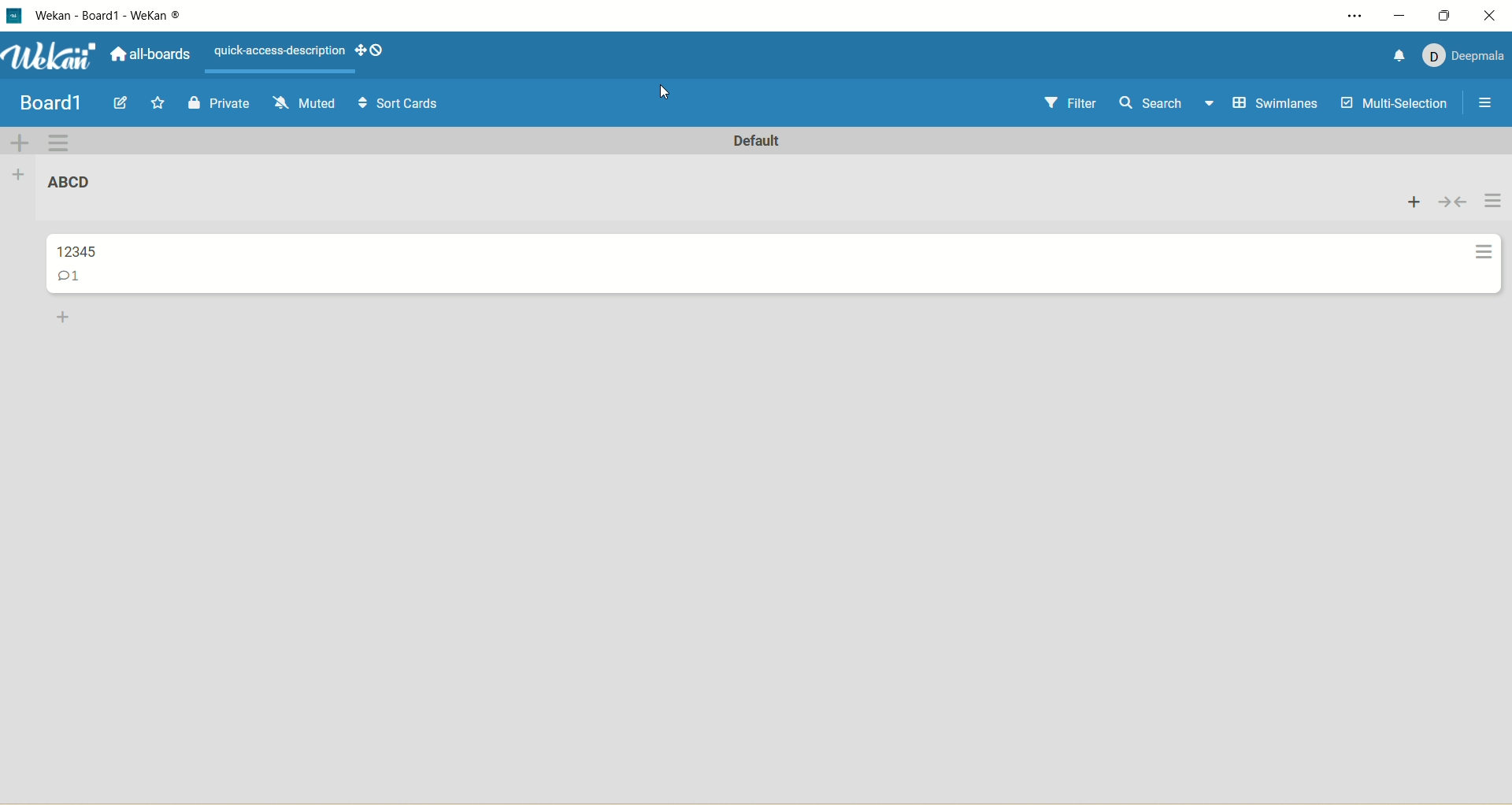 The image size is (1512, 805). Describe the element at coordinates (280, 51) in the screenshot. I see `text` at that location.